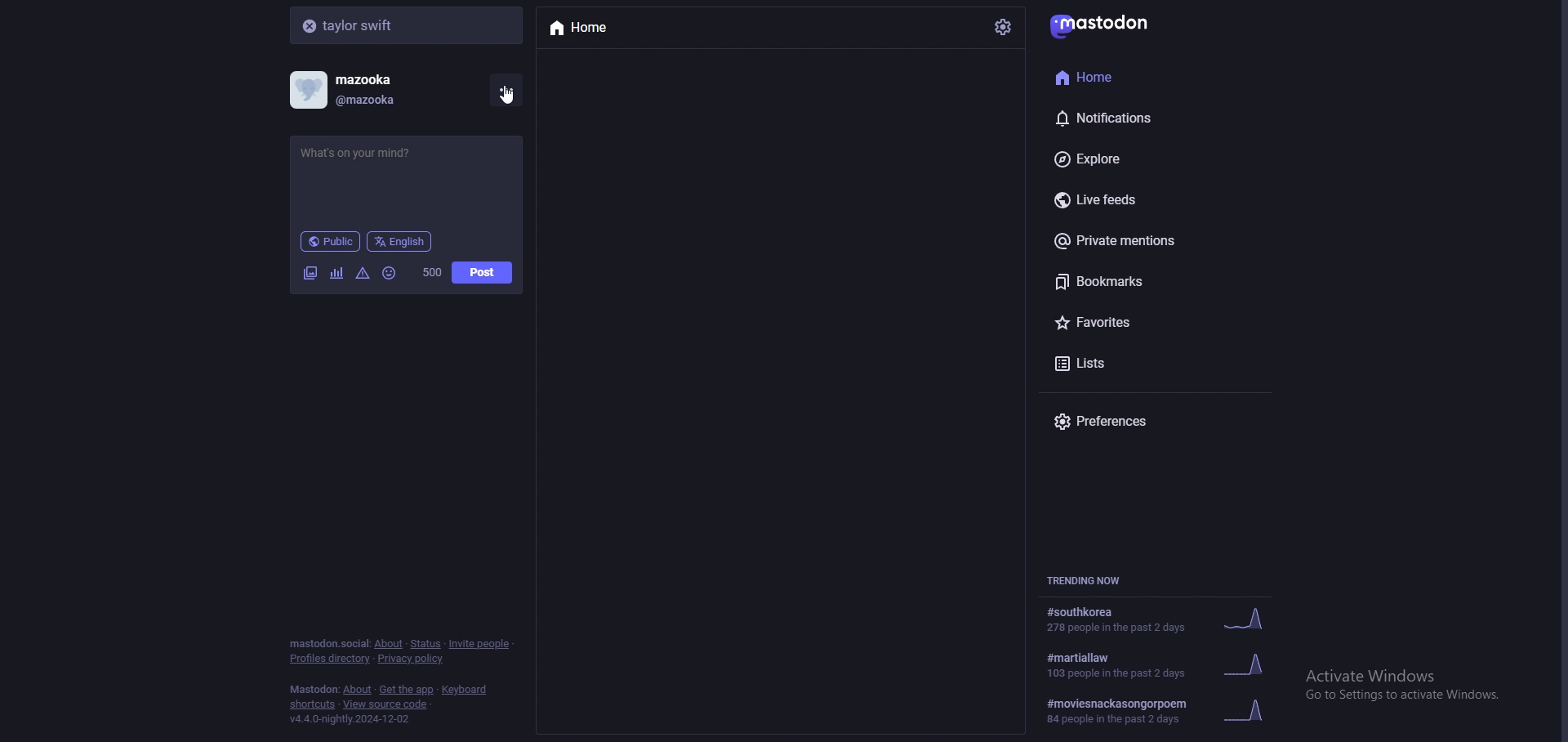 The height and width of the screenshot is (742, 1568). What do you see at coordinates (314, 689) in the screenshot?
I see `mastodon` at bounding box center [314, 689].